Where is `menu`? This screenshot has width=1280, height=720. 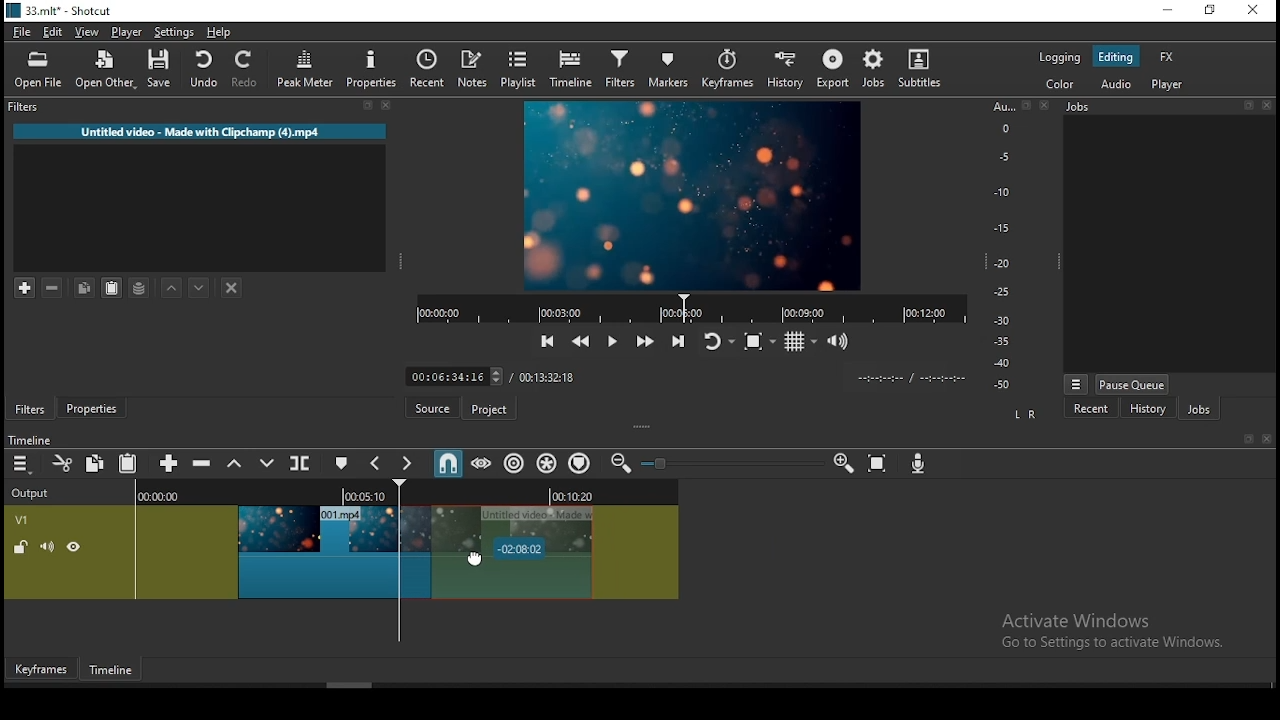 menu is located at coordinates (21, 464).